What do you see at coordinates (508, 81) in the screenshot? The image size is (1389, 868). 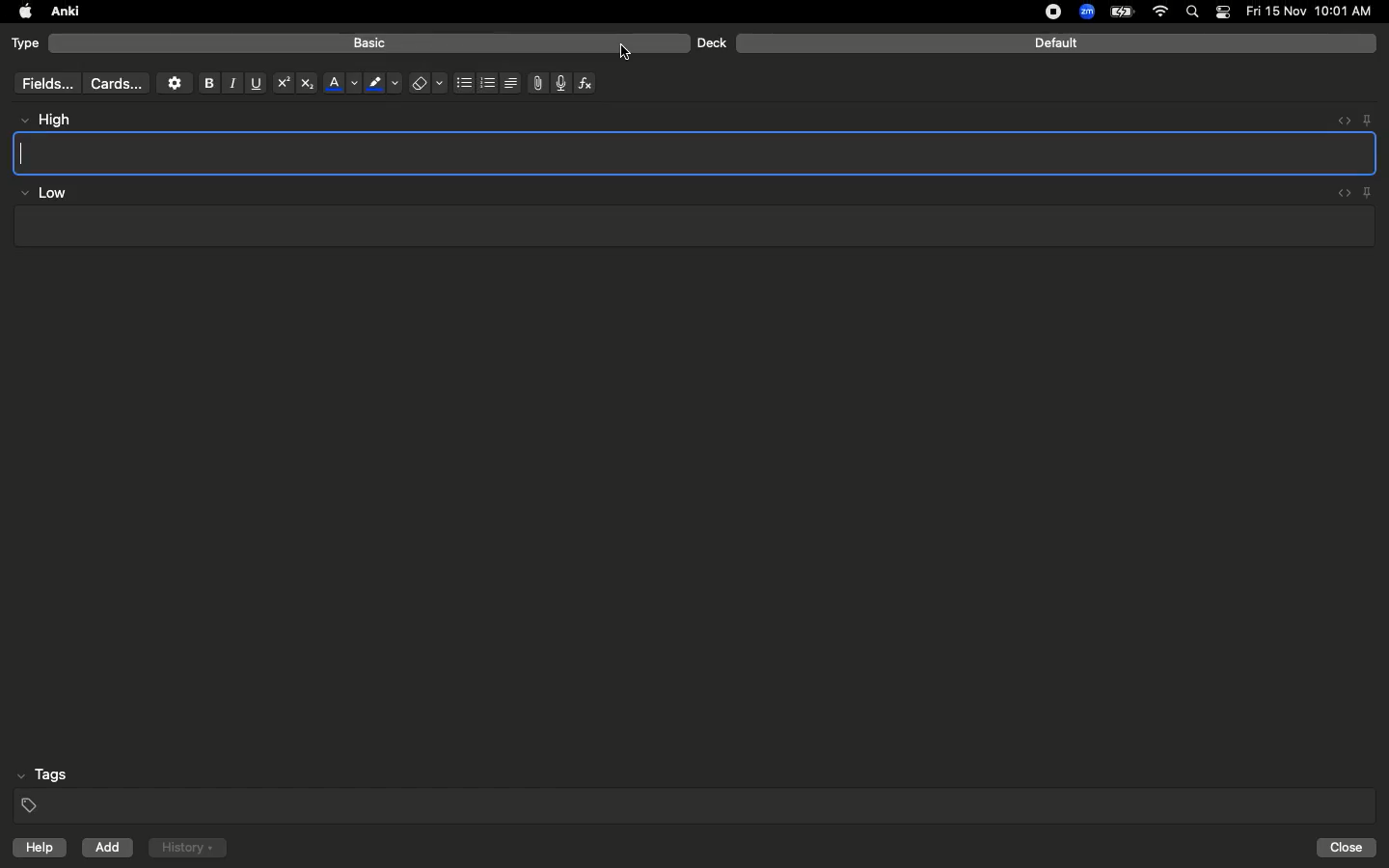 I see `Alignment` at bounding box center [508, 81].